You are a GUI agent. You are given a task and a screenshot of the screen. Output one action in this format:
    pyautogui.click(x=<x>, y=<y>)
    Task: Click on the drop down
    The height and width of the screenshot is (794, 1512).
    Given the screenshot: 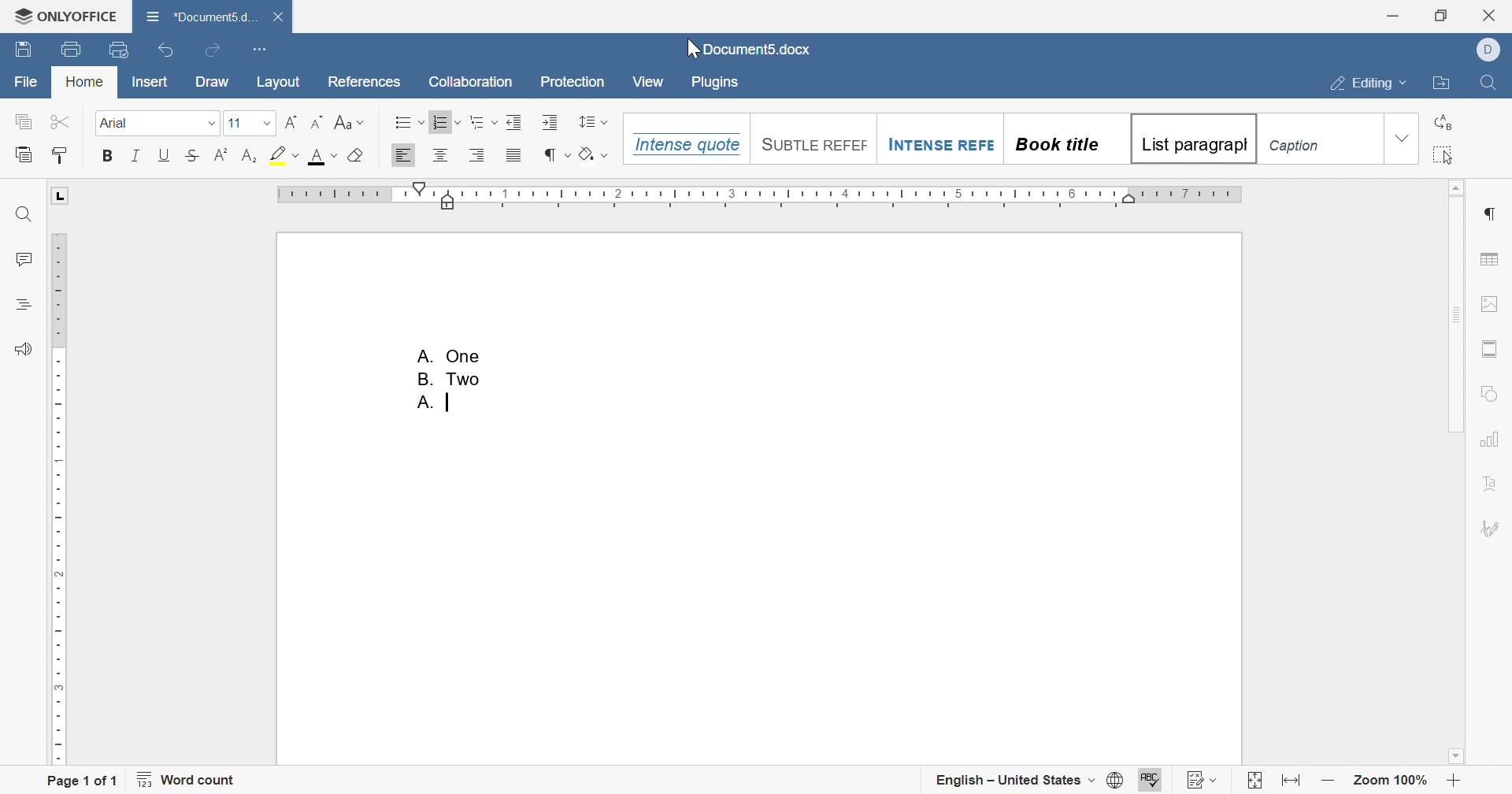 What is the action you would take?
    pyautogui.click(x=1402, y=139)
    